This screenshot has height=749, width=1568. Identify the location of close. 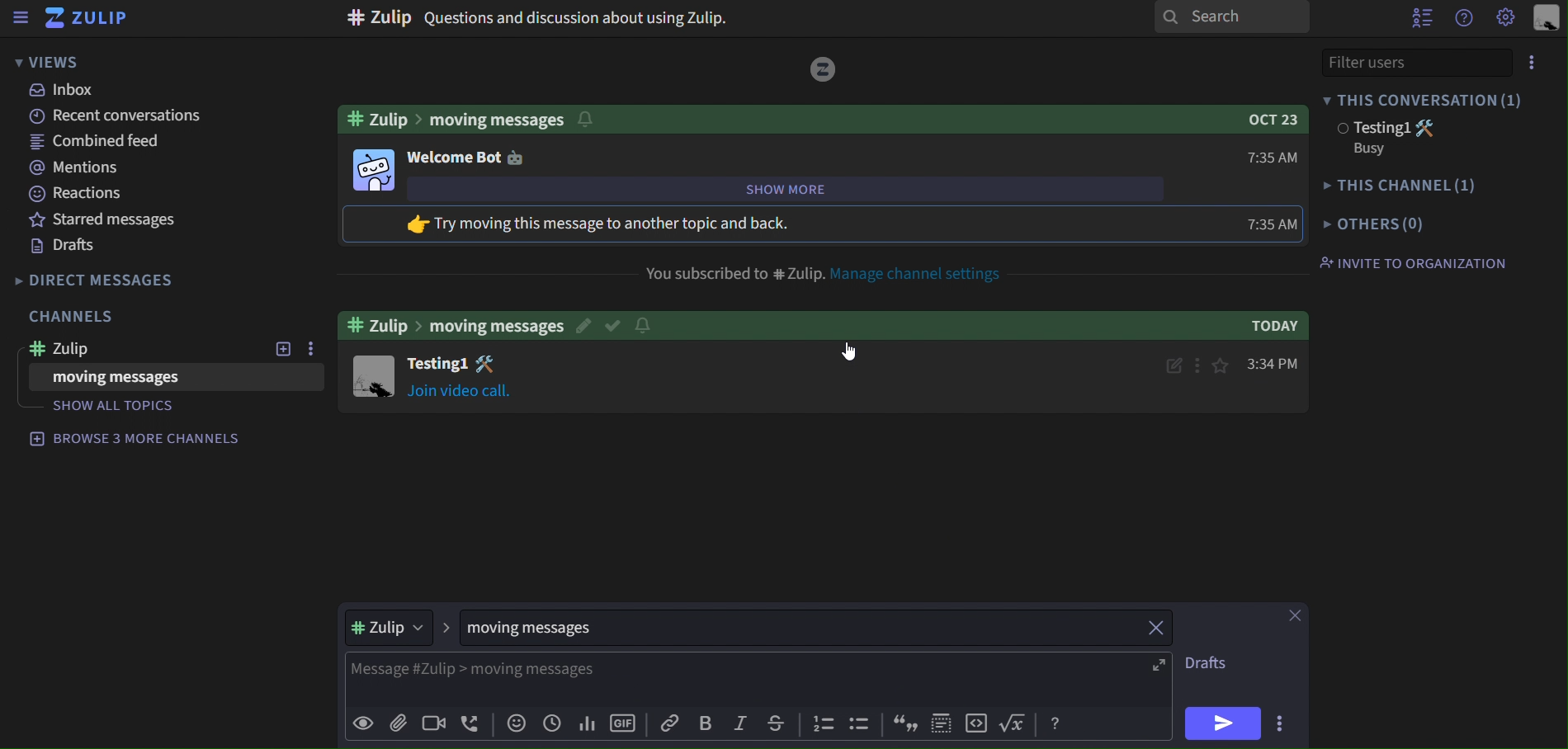
(1157, 628).